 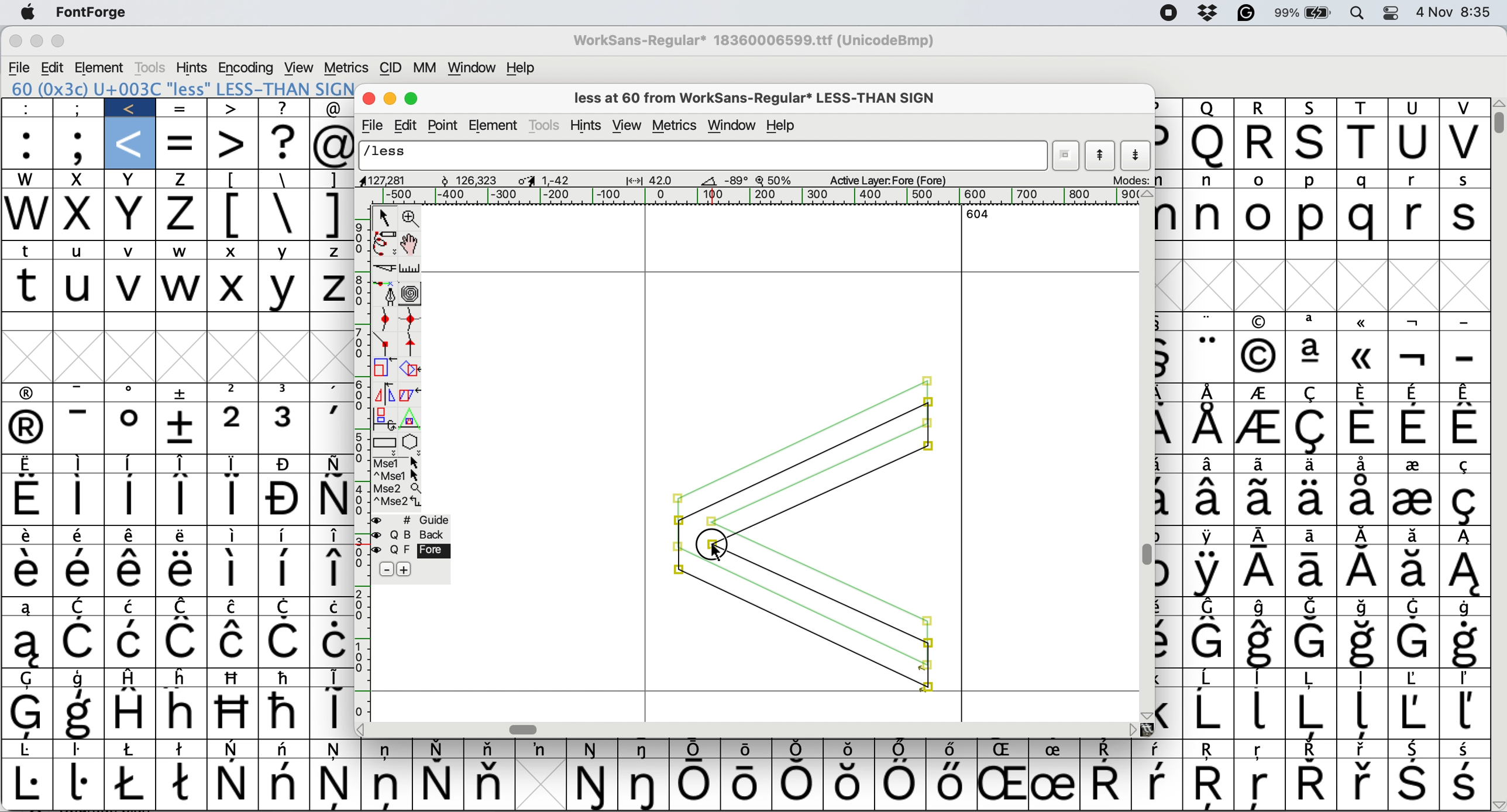 What do you see at coordinates (1411, 714) in the screenshot?
I see `Symbol` at bounding box center [1411, 714].